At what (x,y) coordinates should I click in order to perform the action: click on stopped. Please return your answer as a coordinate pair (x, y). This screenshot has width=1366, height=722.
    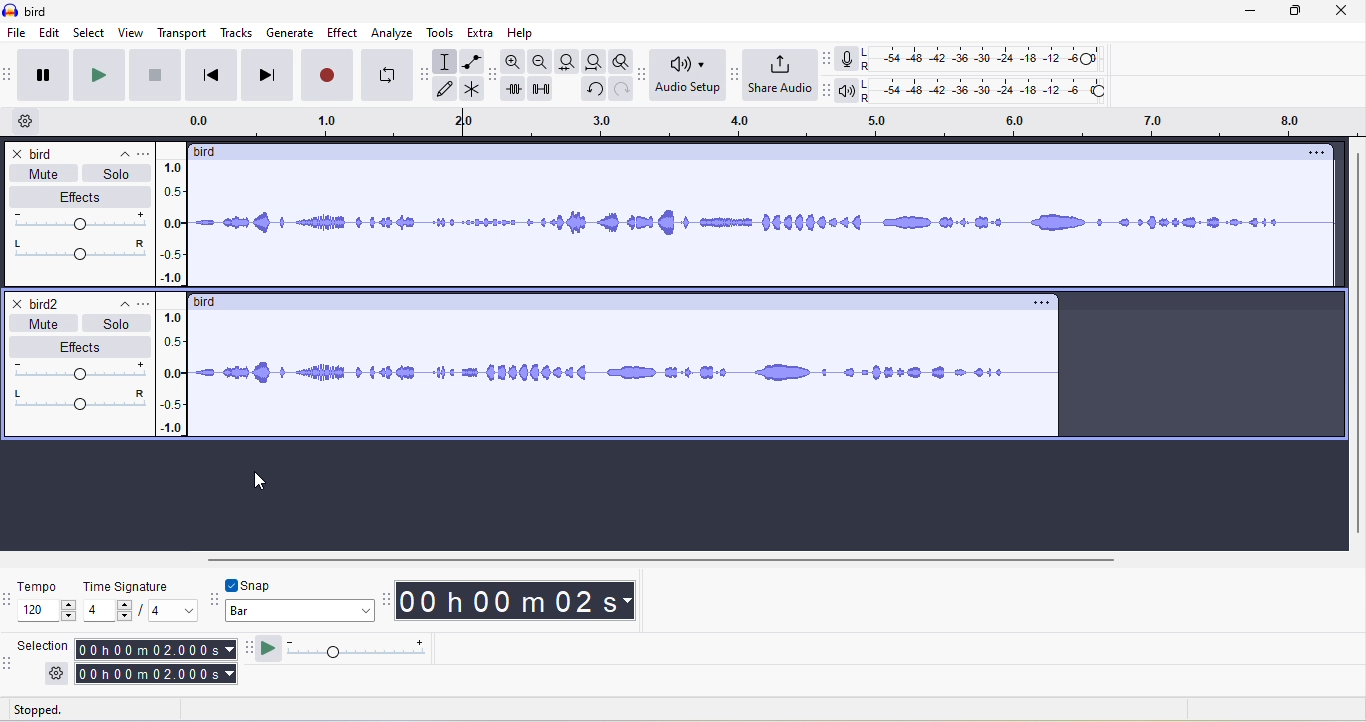
    Looking at the image, I should click on (54, 710).